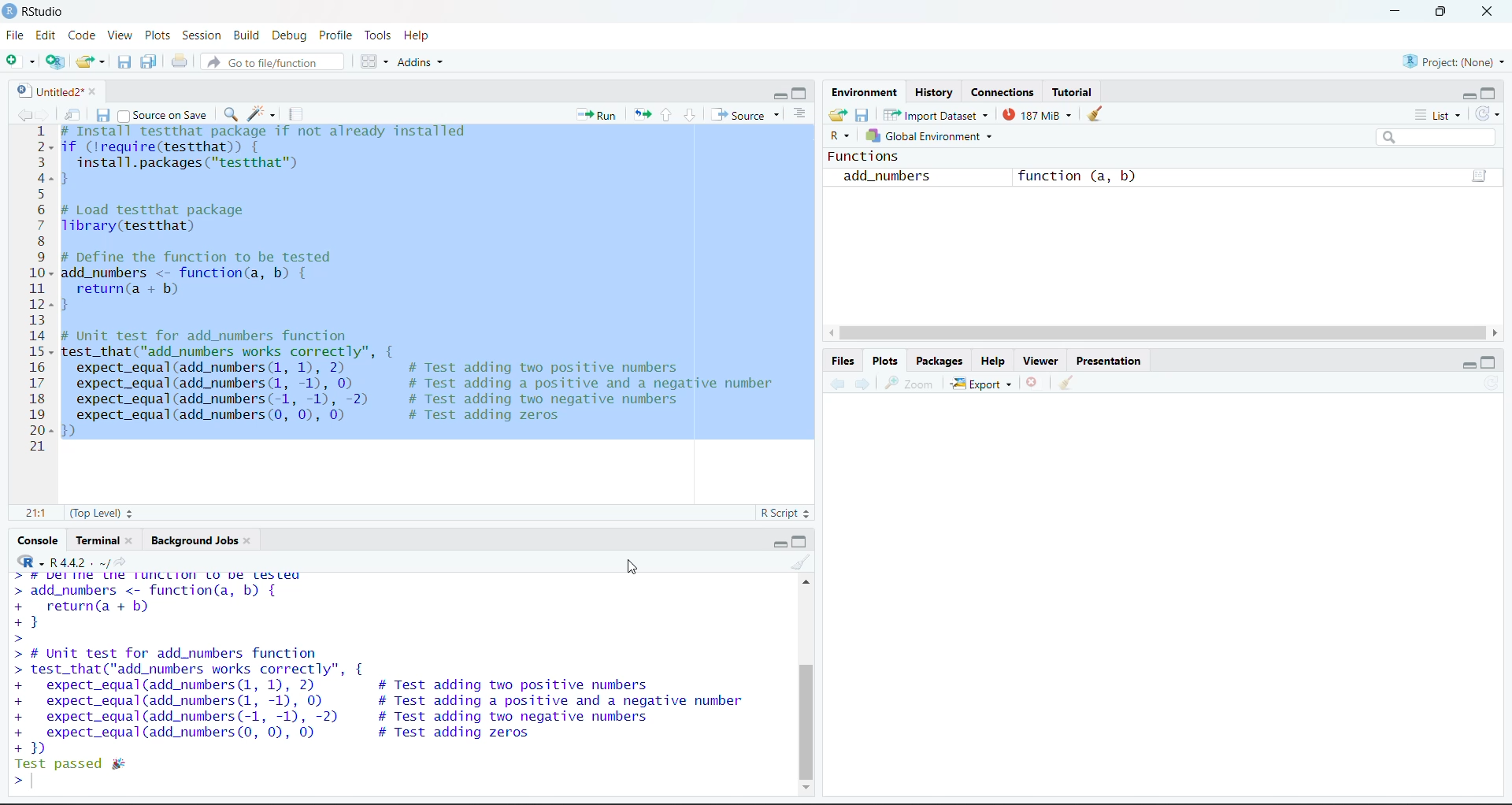 The image size is (1512, 805). Describe the element at coordinates (1044, 361) in the screenshot. I see `Viewer` at that location.